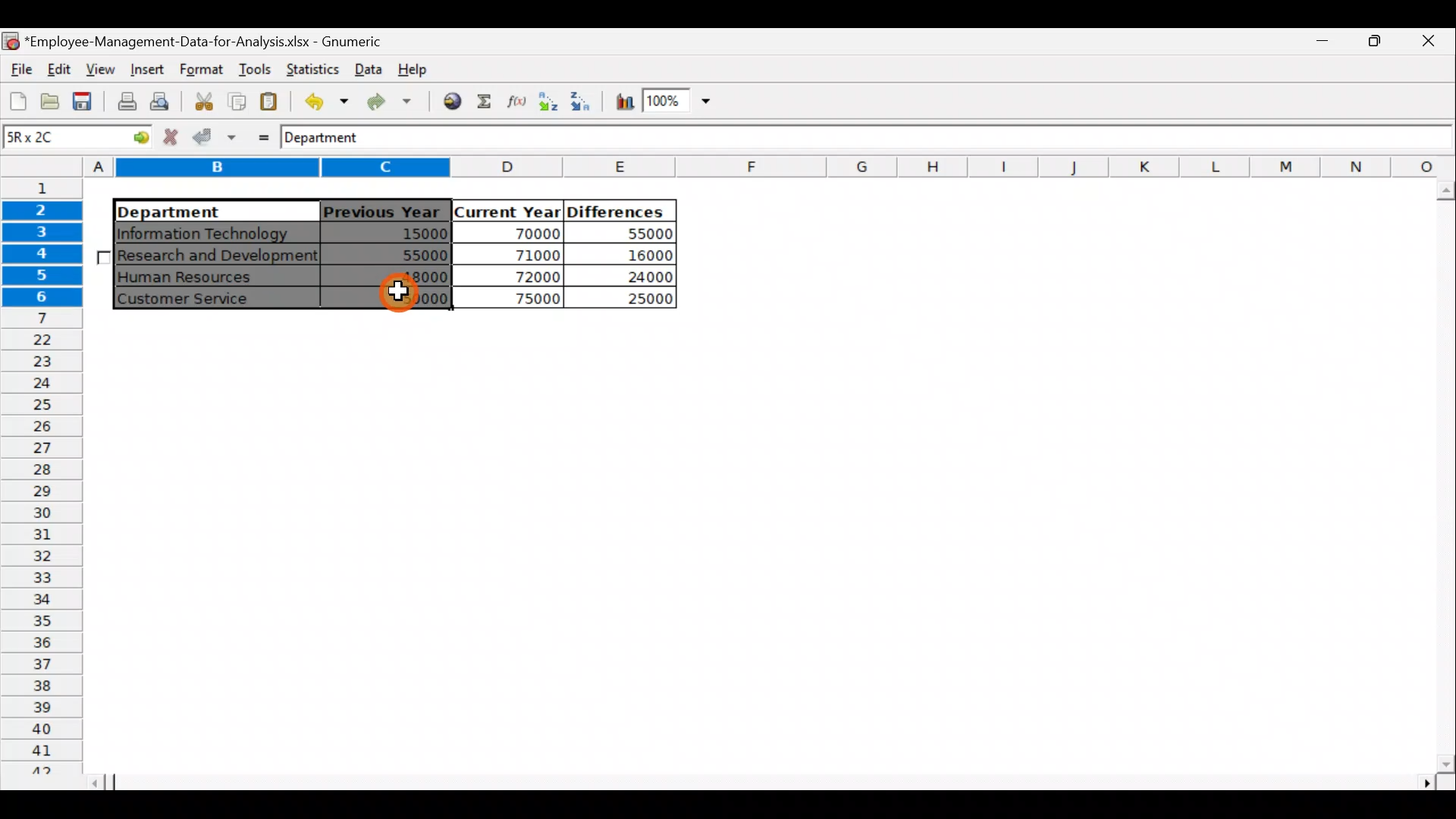 The image size is (1456, 819). I want to click on Accept change, so click(215, 137).